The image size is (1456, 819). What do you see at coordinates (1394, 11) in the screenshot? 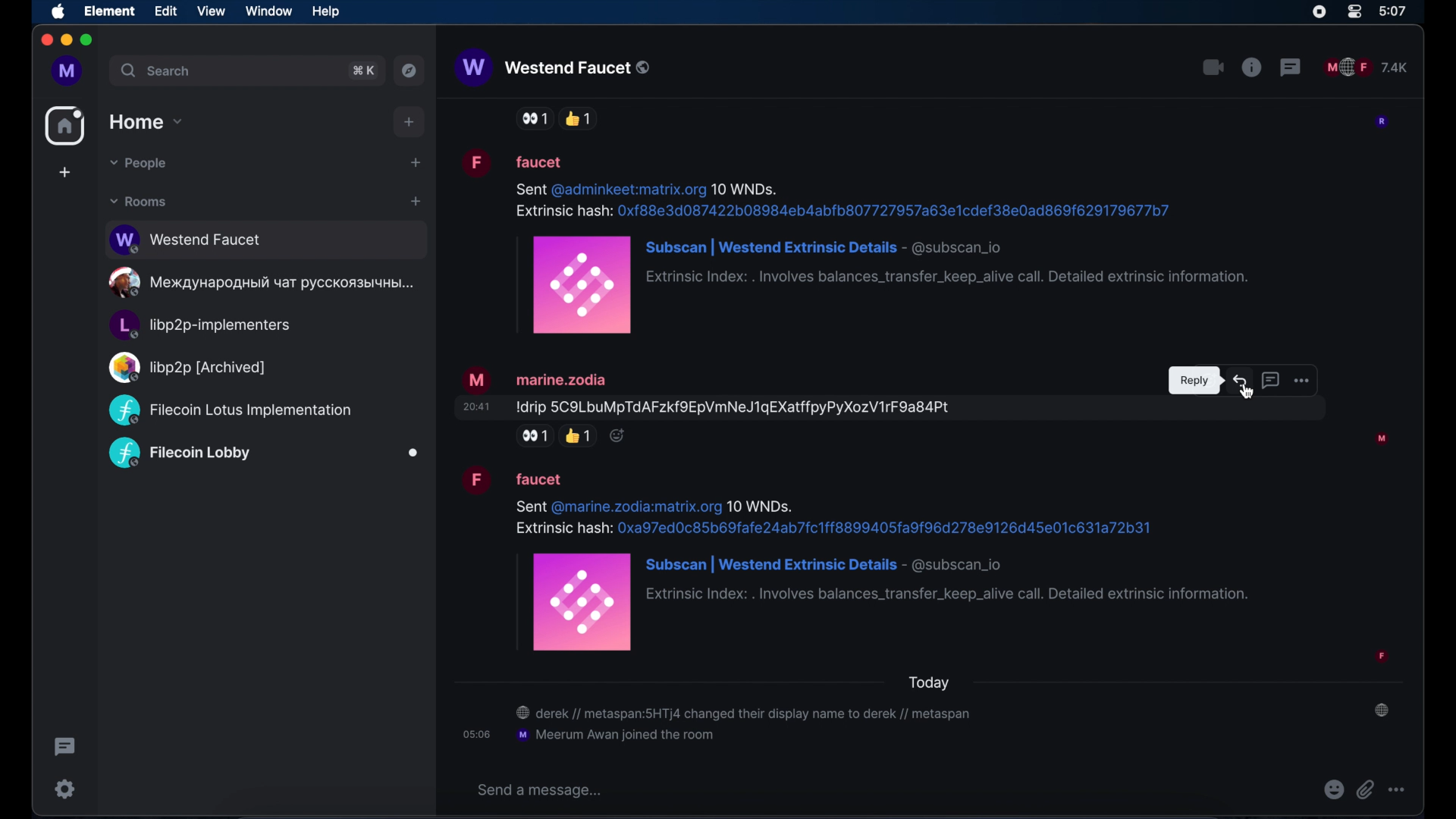
I see `time` at bounding box center [1394, 11].